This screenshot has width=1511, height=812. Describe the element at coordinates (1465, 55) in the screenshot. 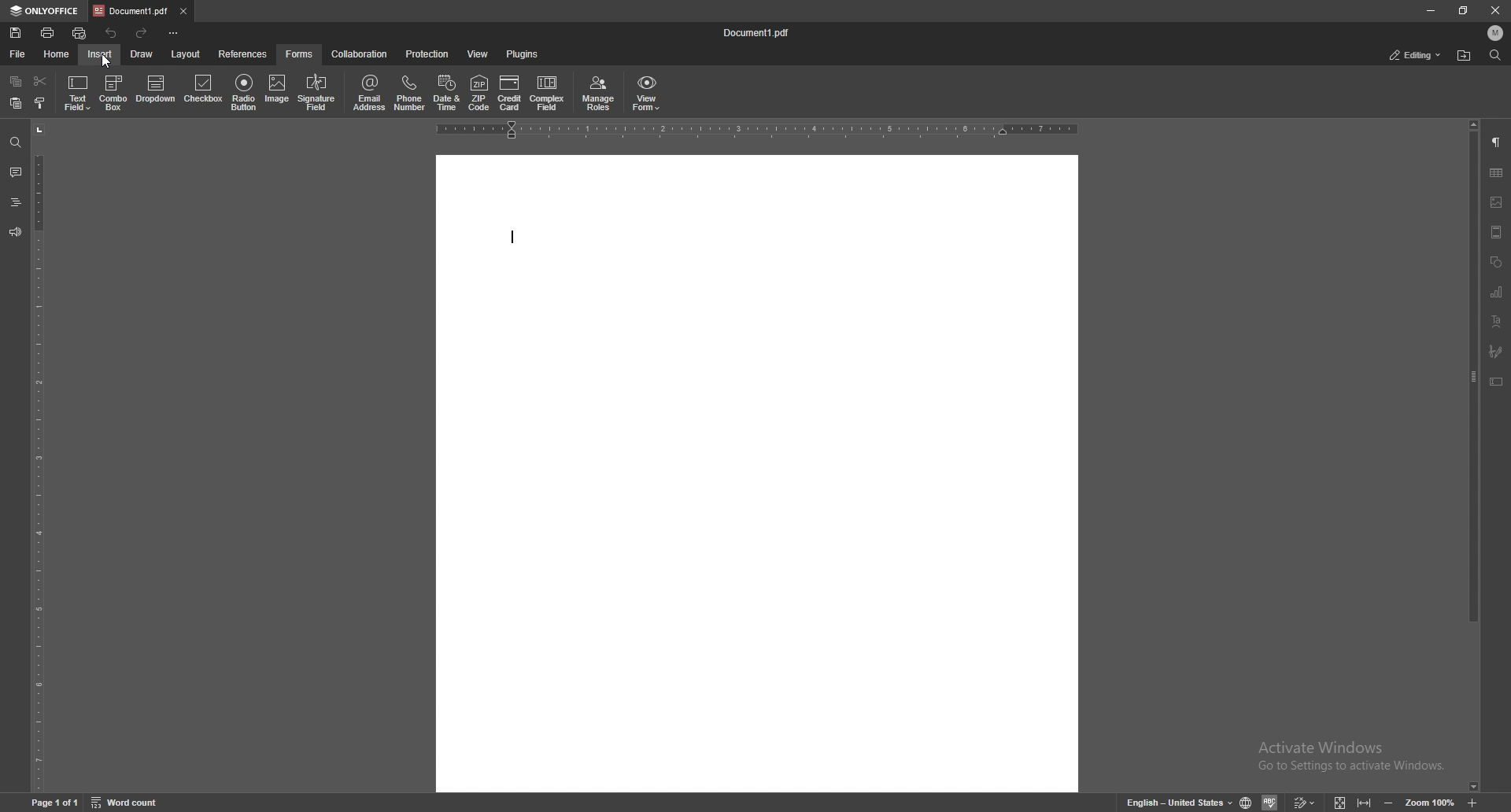

I see `find location` at that location.